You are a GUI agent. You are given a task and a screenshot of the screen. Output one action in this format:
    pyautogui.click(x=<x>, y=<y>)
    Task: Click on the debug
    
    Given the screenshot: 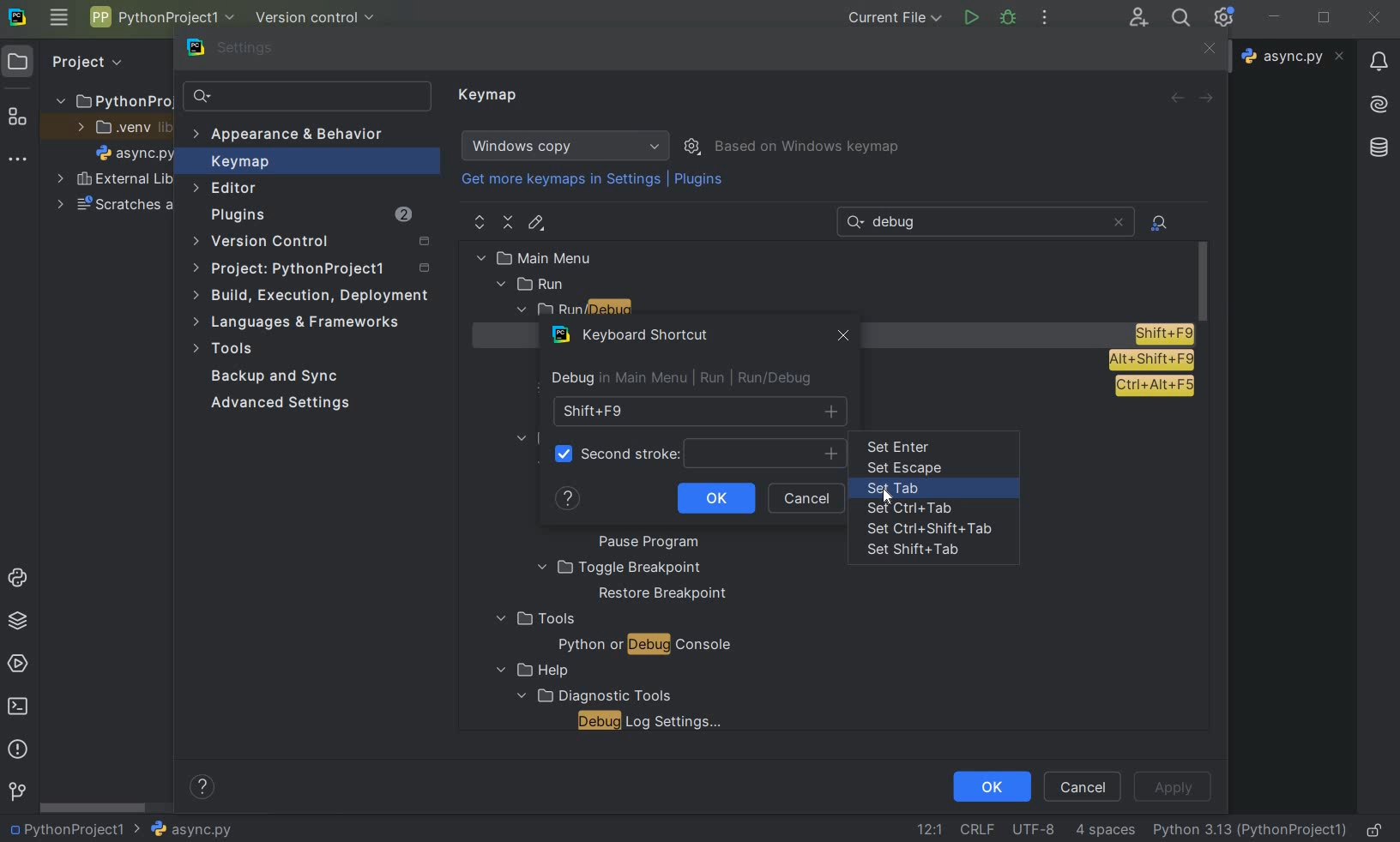 What is the action you would take?
    pyautogui.click(x=1009, y=16)
    